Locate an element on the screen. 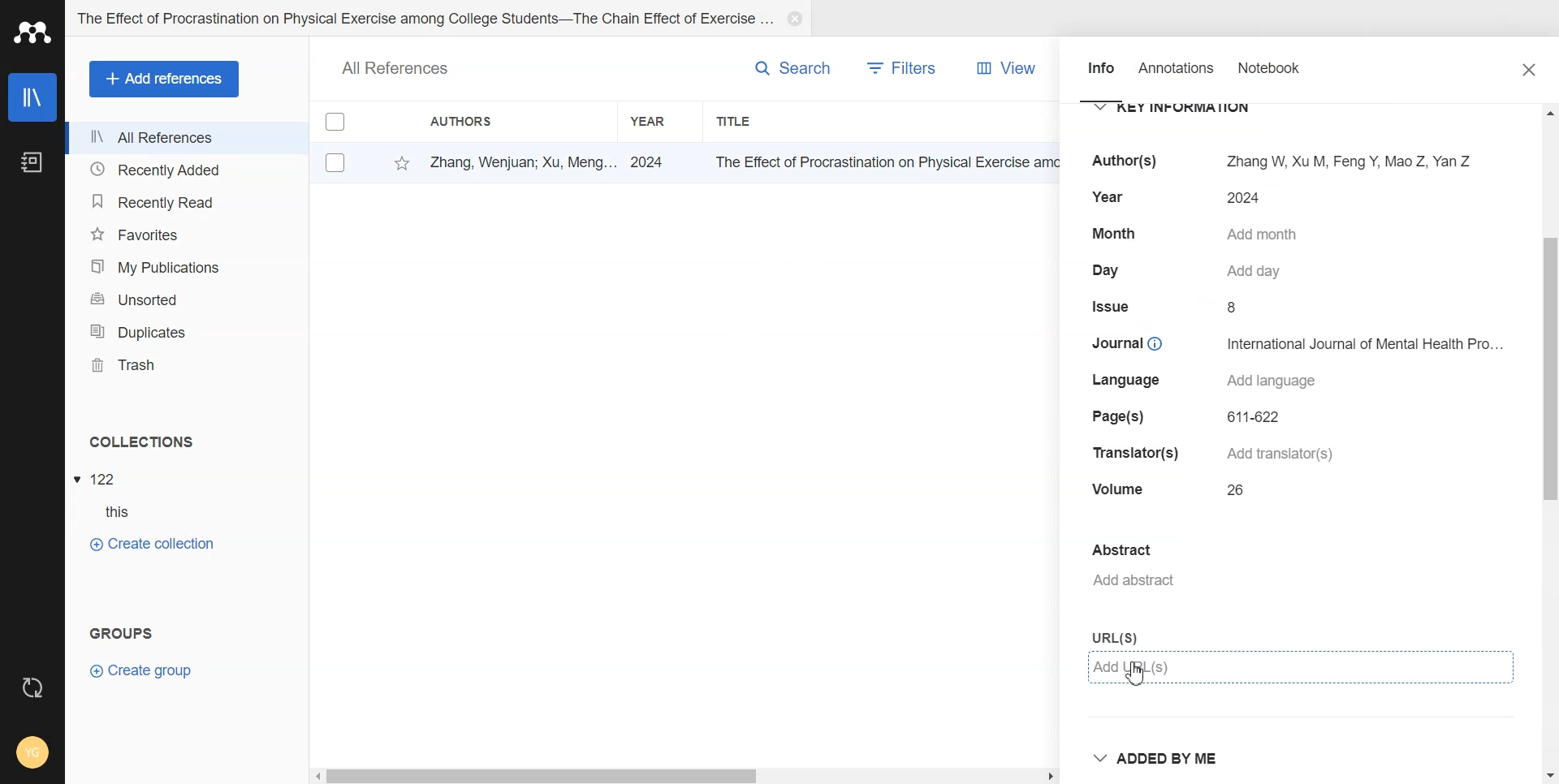 The height and width of the screenshot is (784, 1559). Up is located at coordinates (1548, 115).